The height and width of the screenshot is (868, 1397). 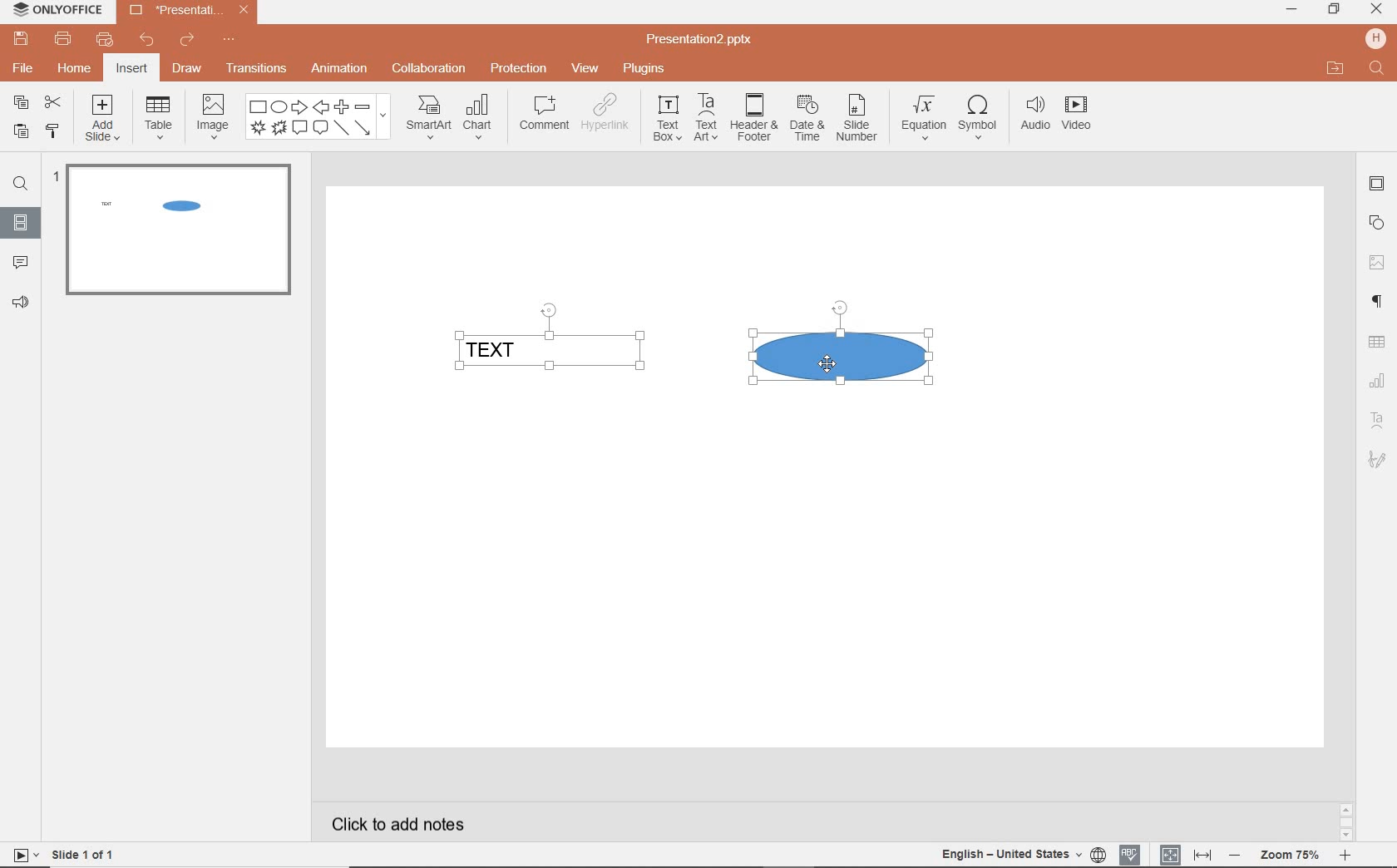 What do you see at coordinates (1021, 855) in the screenshot?
I see `TEXT LANGUAGE` at bounding box center [1021, 855].